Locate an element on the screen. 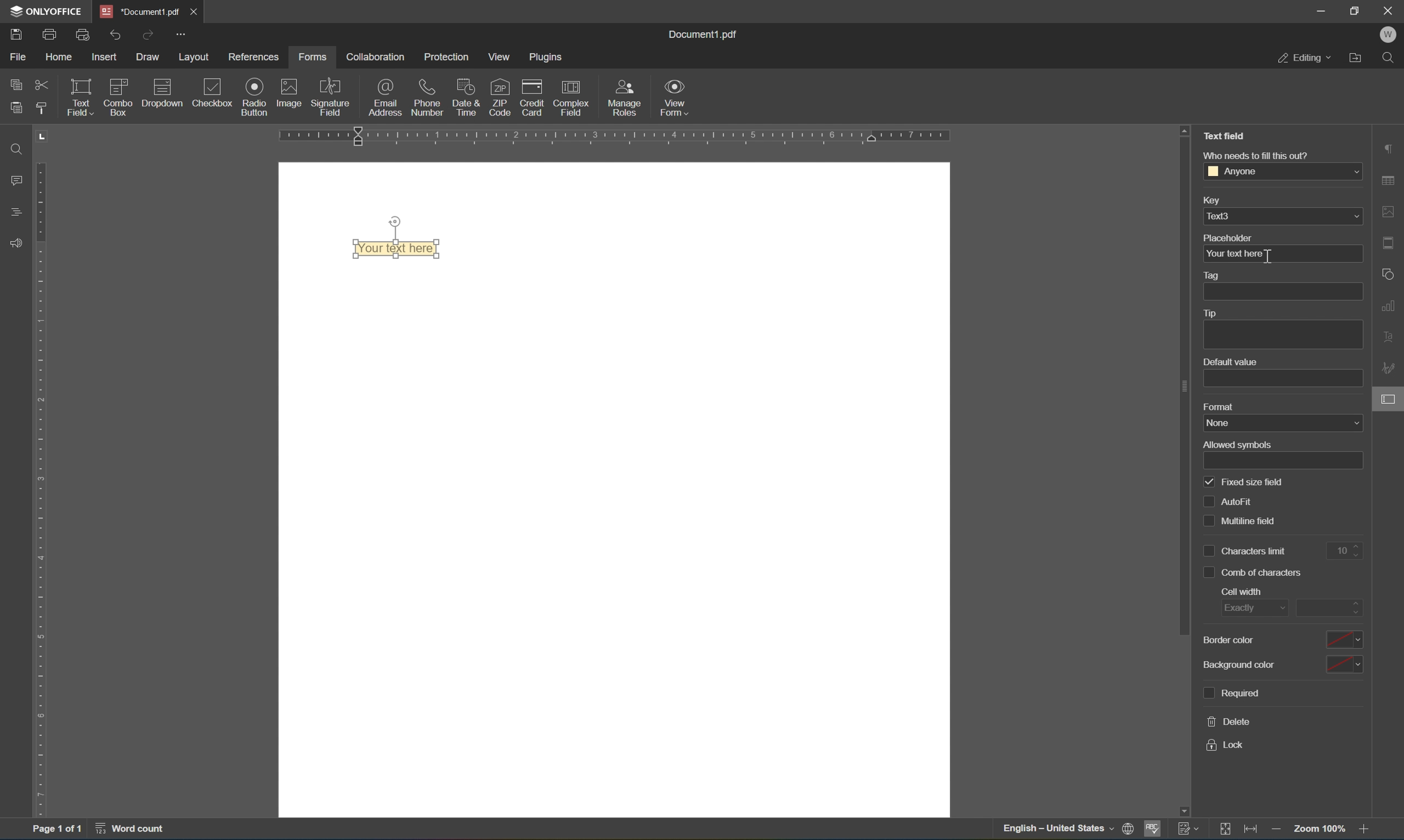 This screenshot has height=840, width=1404. required is located at coordinates (1234, 693).